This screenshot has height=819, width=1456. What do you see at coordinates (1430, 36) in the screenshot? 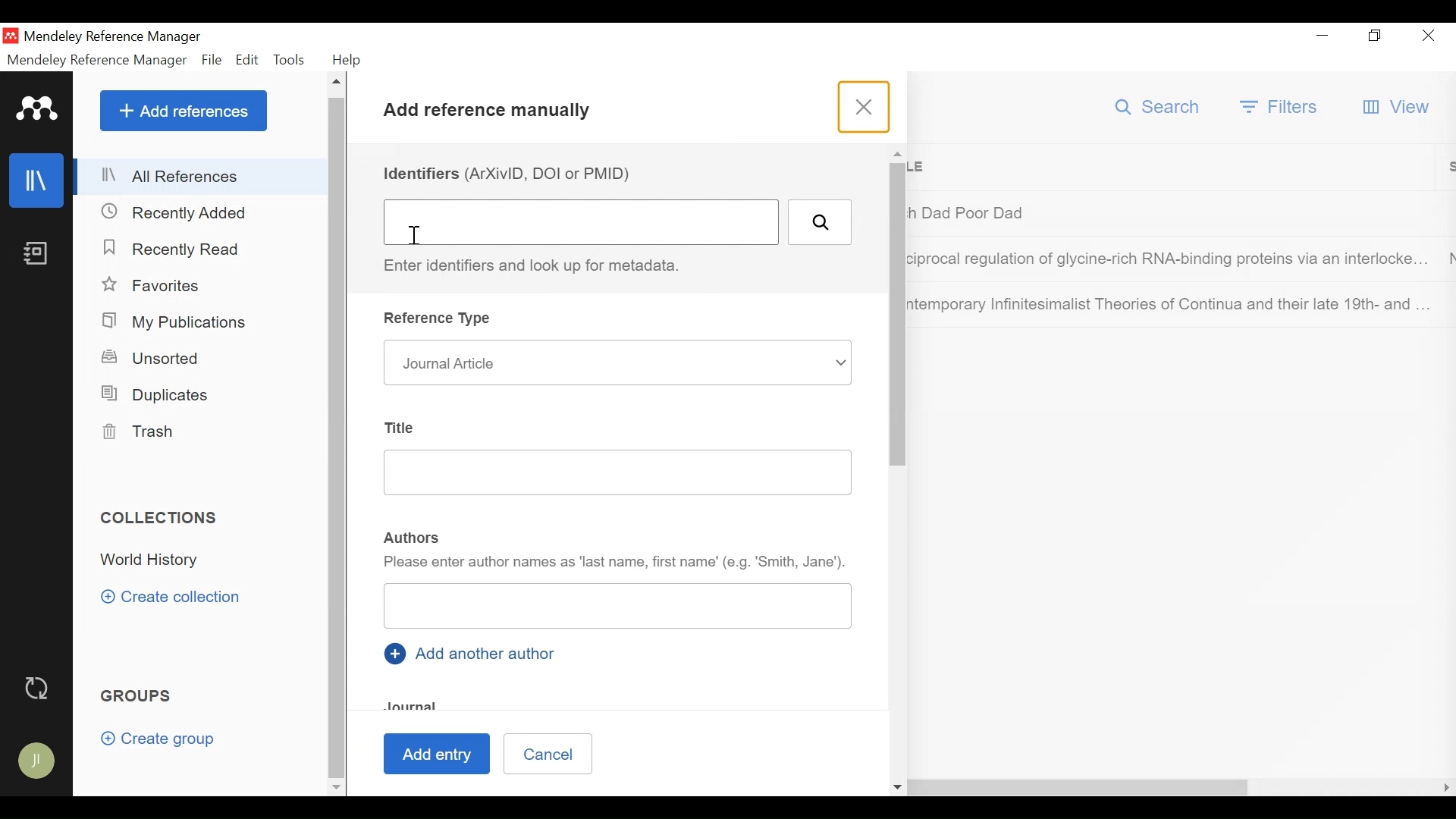
I see `Close` at bounding box center [1430, 36].